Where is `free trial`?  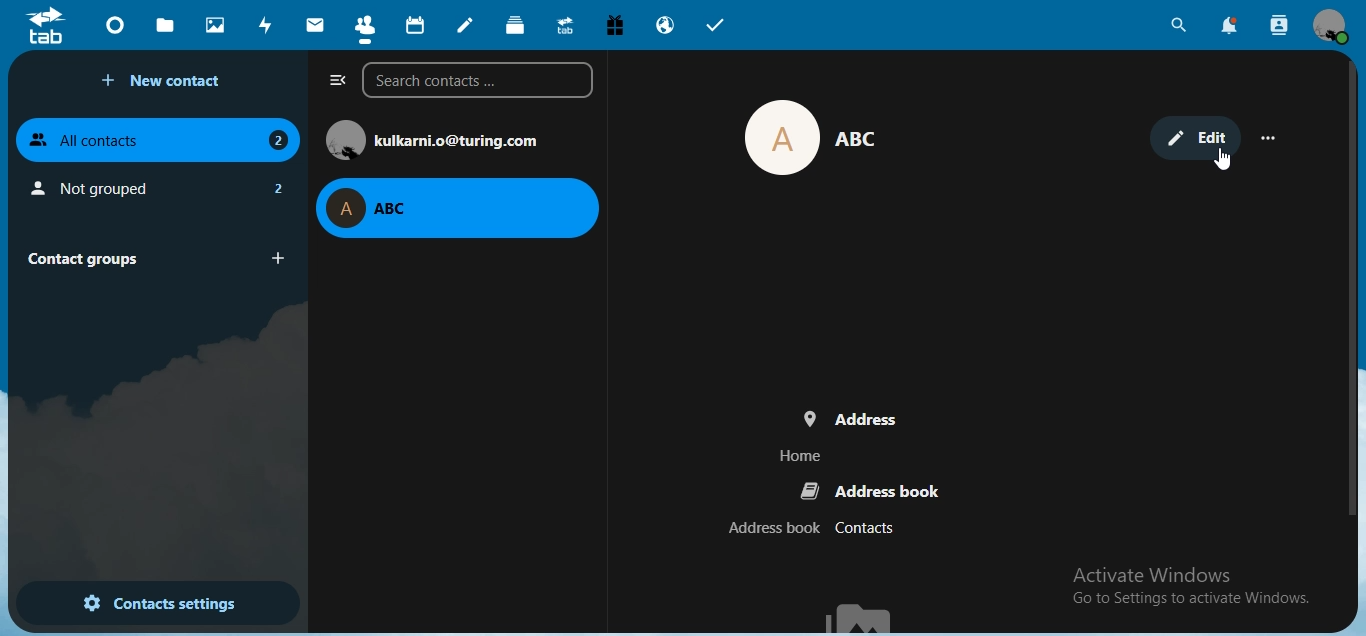 free trial is located at coordinates (610, 24).